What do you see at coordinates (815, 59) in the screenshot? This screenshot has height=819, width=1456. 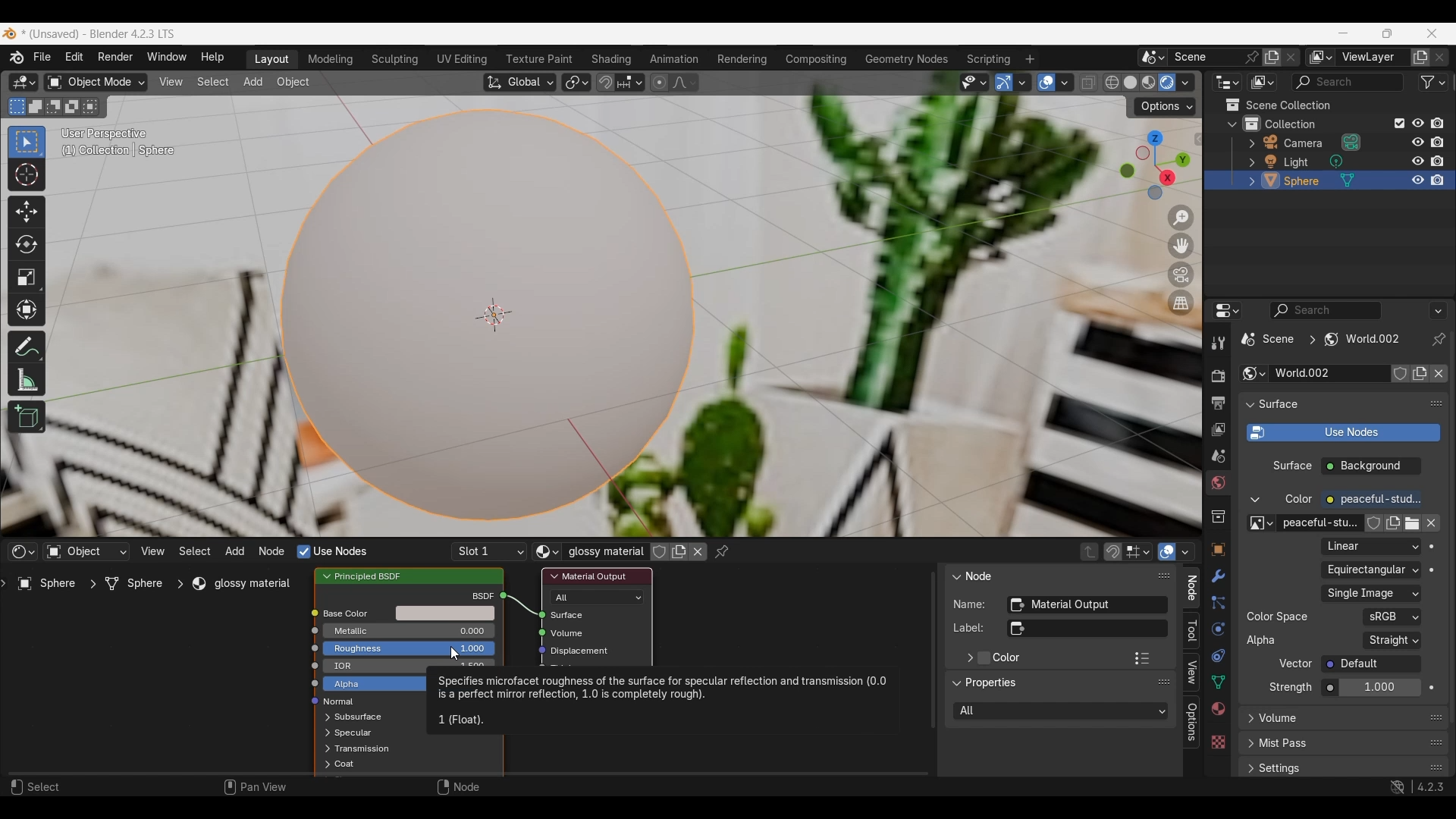 I see `Compositing workspace` at bounding box center [815, 59].